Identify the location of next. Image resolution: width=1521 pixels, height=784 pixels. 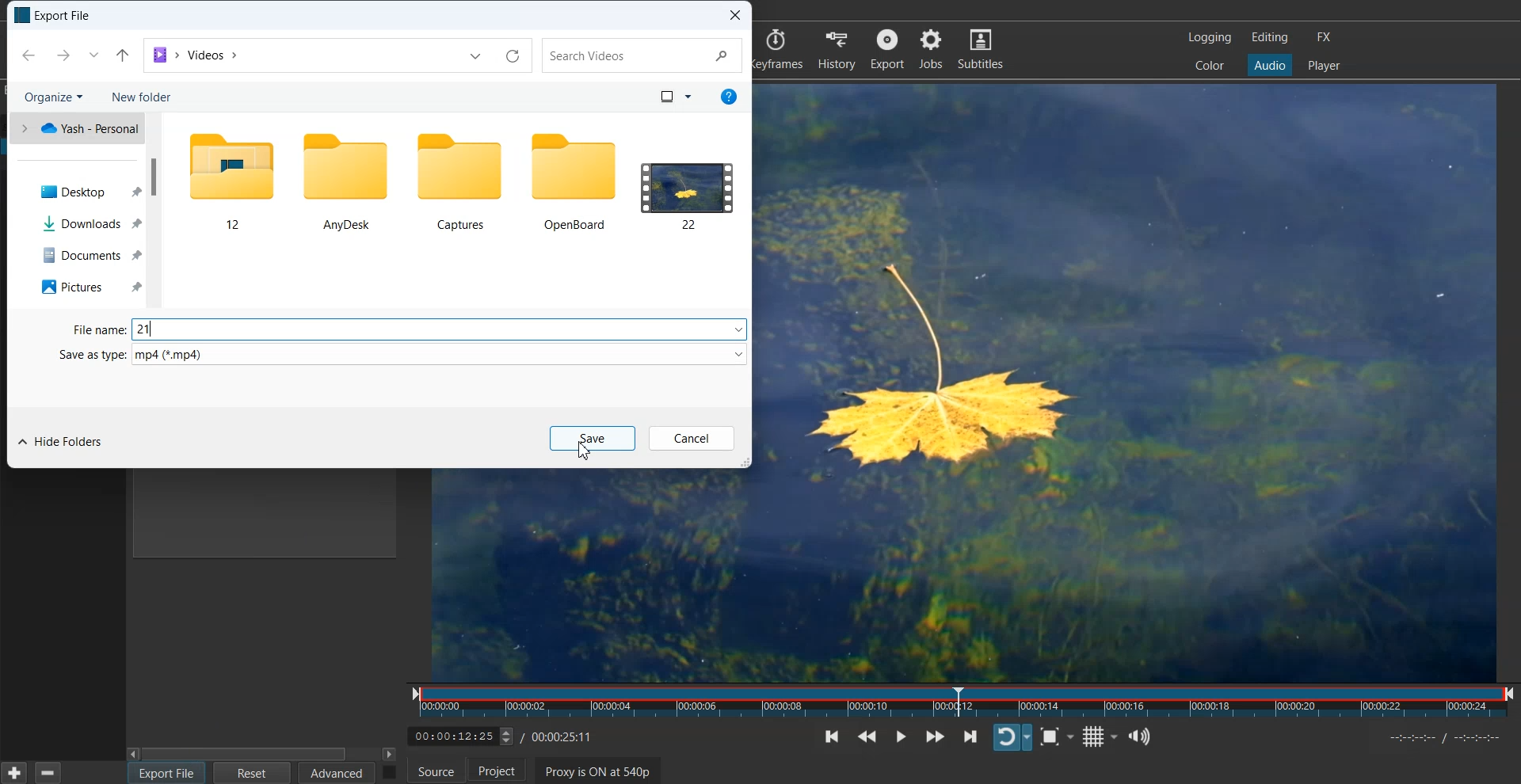
(65, 55).